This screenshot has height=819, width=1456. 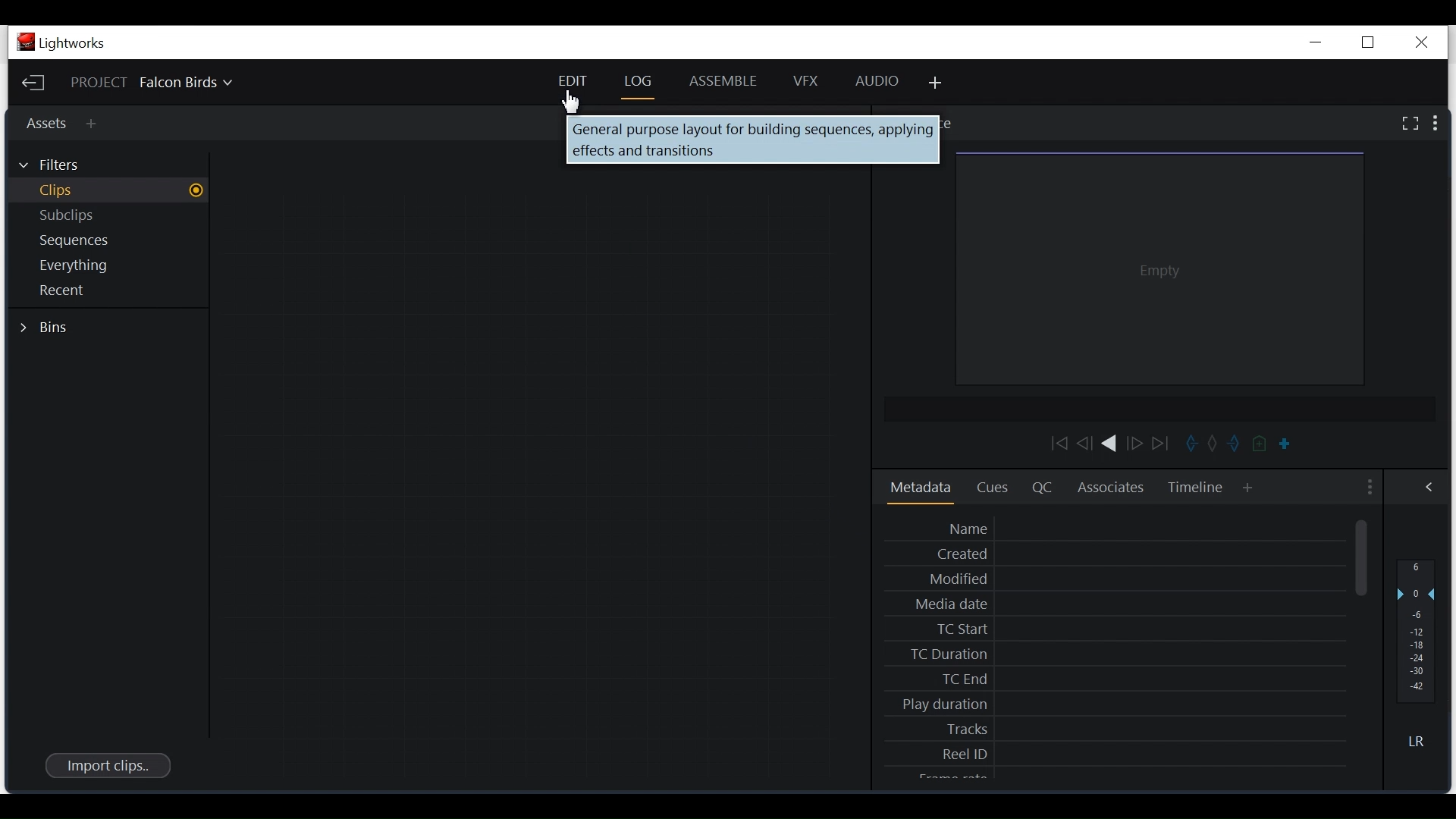 What do you see at coordinates (1225, 444) in the screenshot?
I see `icon` at bounding box center [1225, 444].